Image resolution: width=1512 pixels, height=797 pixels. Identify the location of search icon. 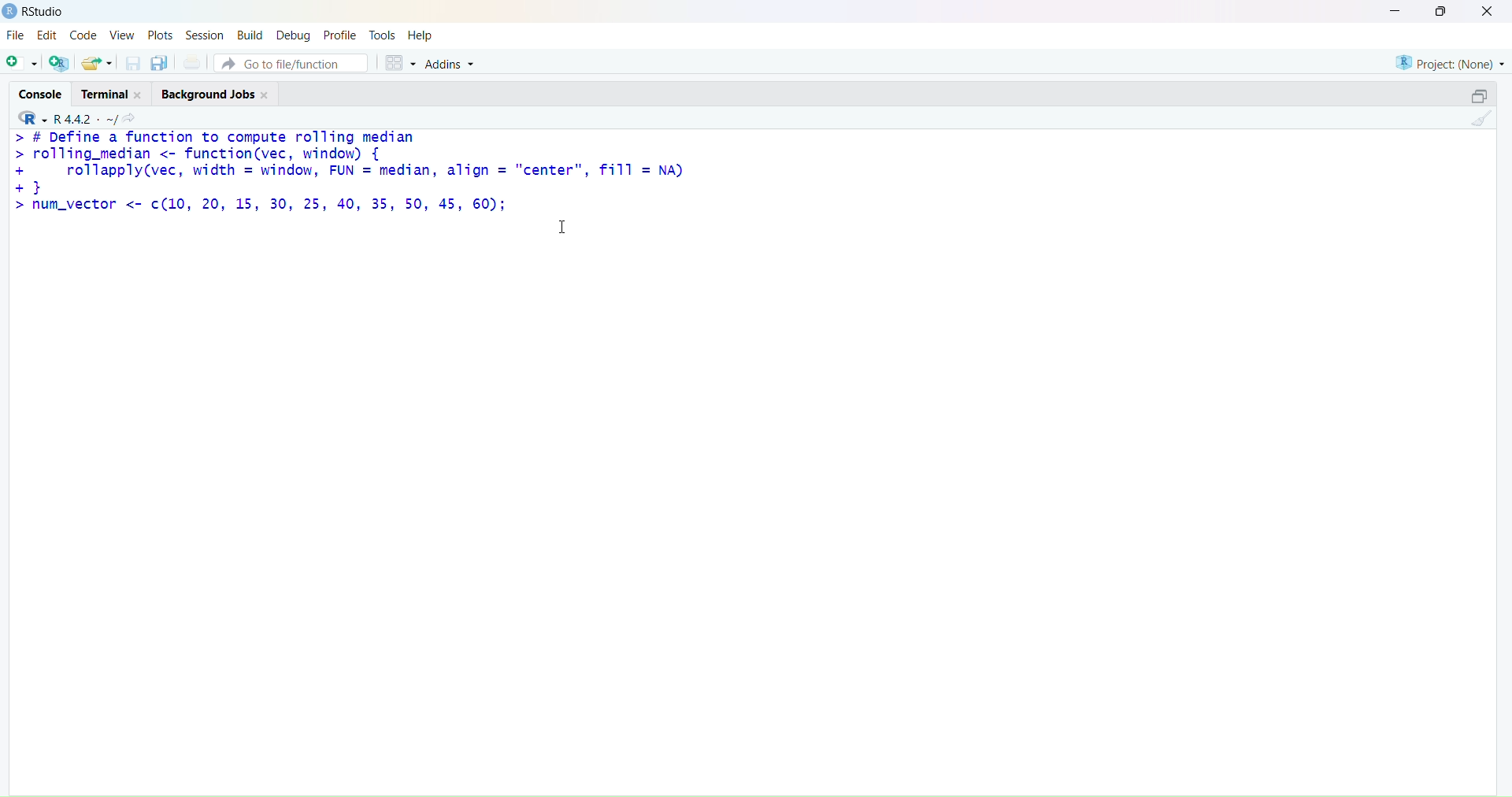
(130, 117).